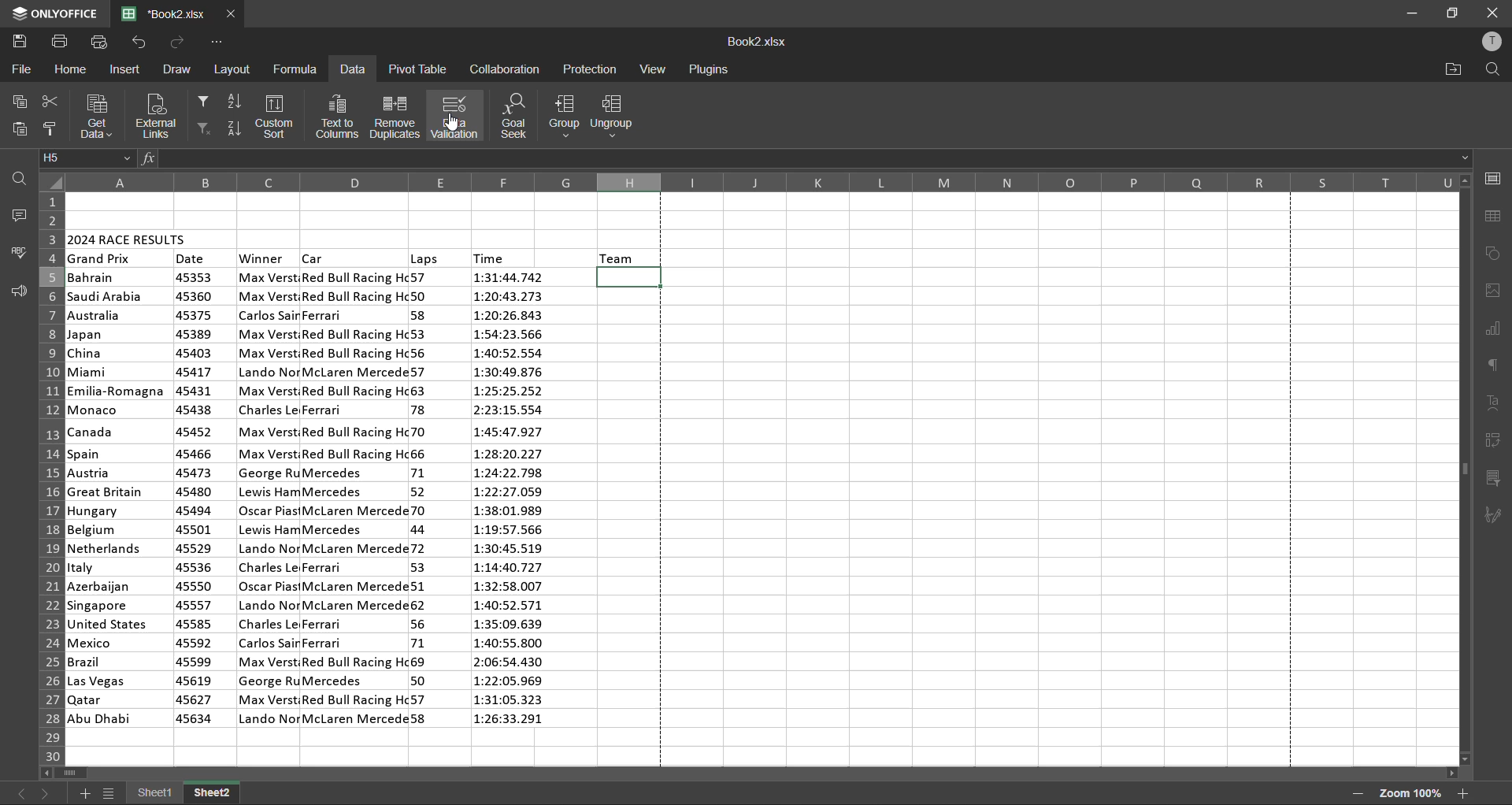 The image size is (1512, 805). What do you see at coordinates (84, 793) in the screenshot?
I see `add sheet` at bounding box center [84, 793].